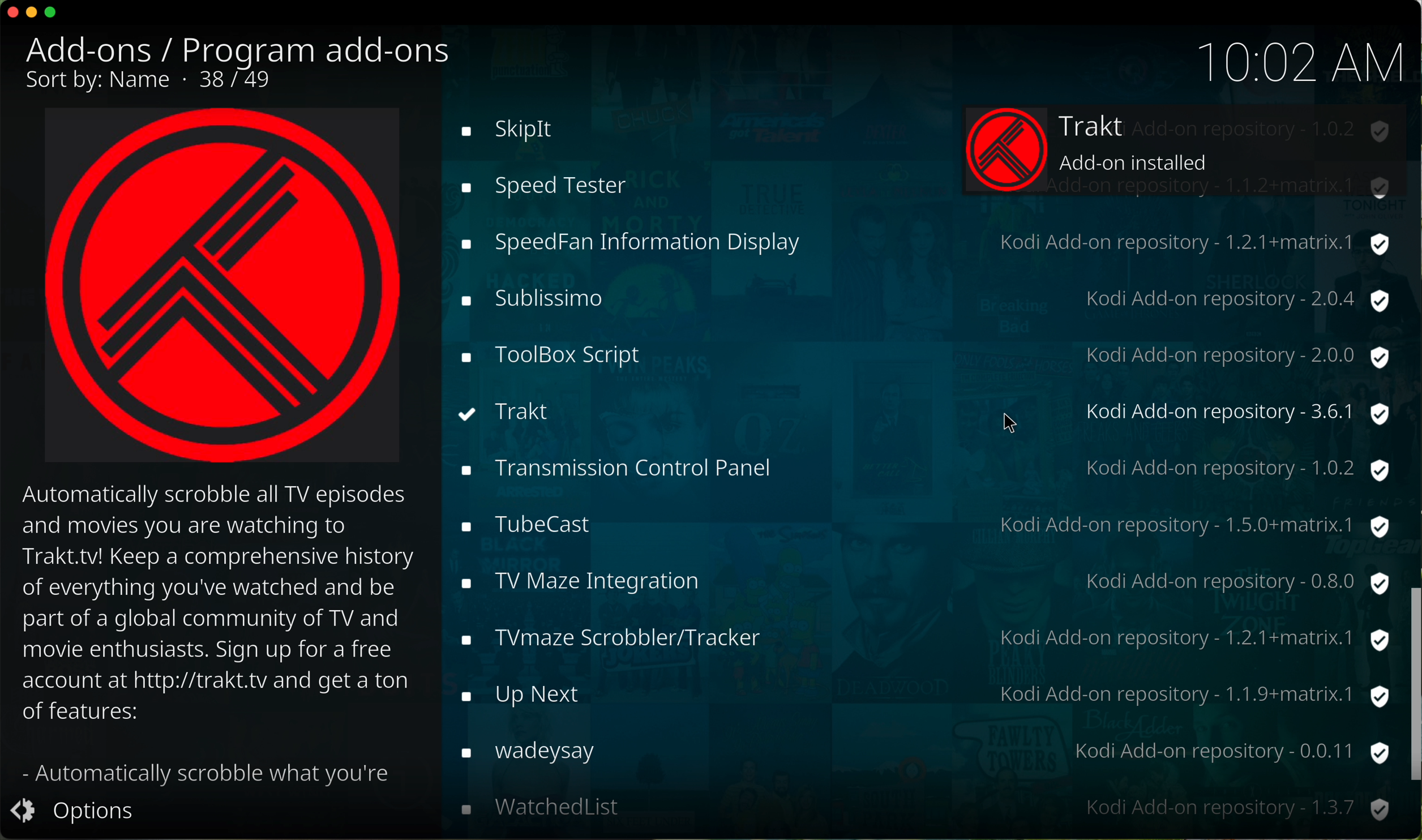 The height and width of the screenshot is (840, 1422). What do you see at coordinates (241, 80) in the screenshot?
I see `37/49` at bounding box center [241, 80].